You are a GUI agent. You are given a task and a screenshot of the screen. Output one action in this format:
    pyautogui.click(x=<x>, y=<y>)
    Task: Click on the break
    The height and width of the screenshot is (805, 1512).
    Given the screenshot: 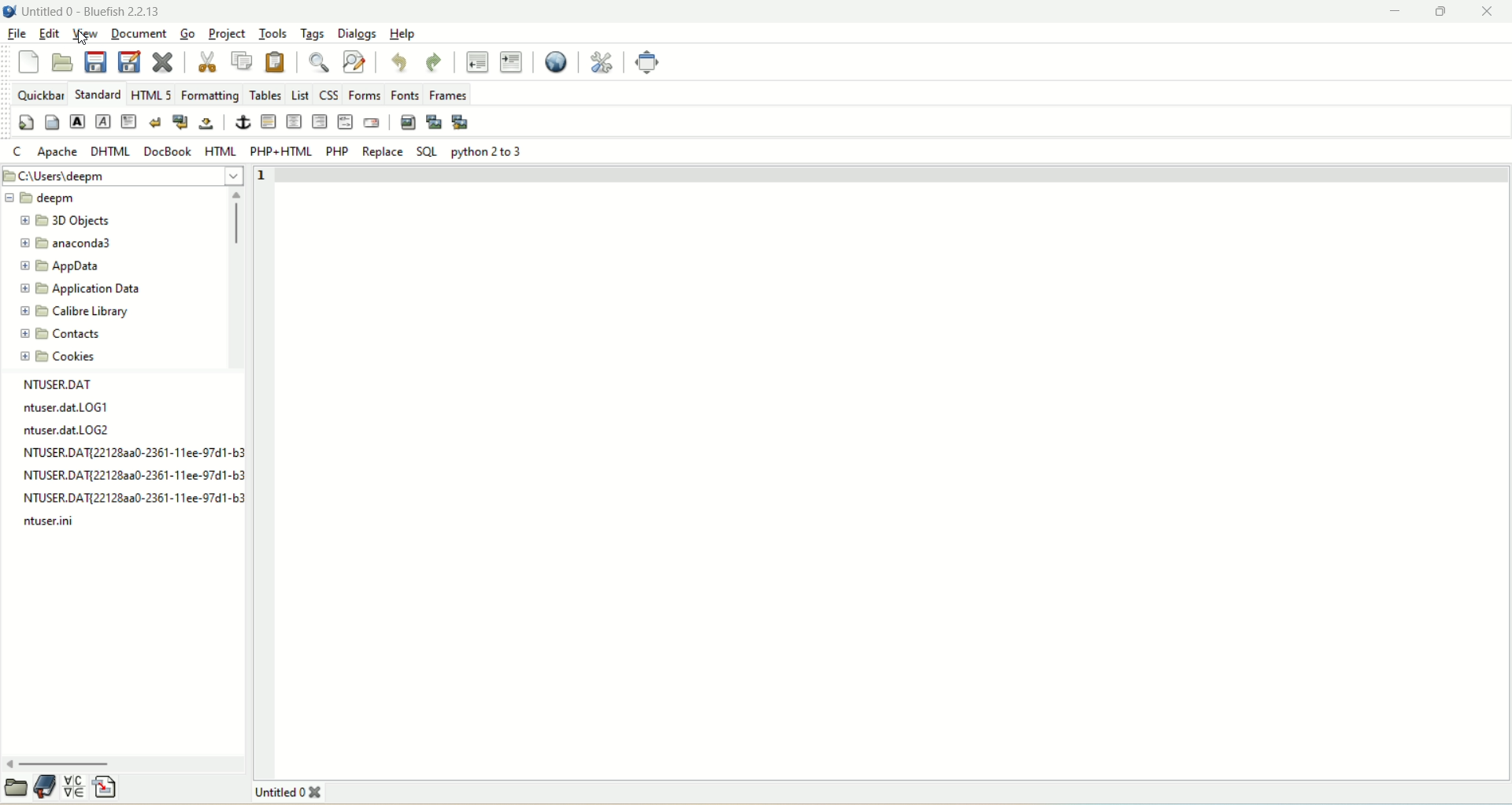 What is the action you would take?
    pyautogui.click(x=154, y=121)
    